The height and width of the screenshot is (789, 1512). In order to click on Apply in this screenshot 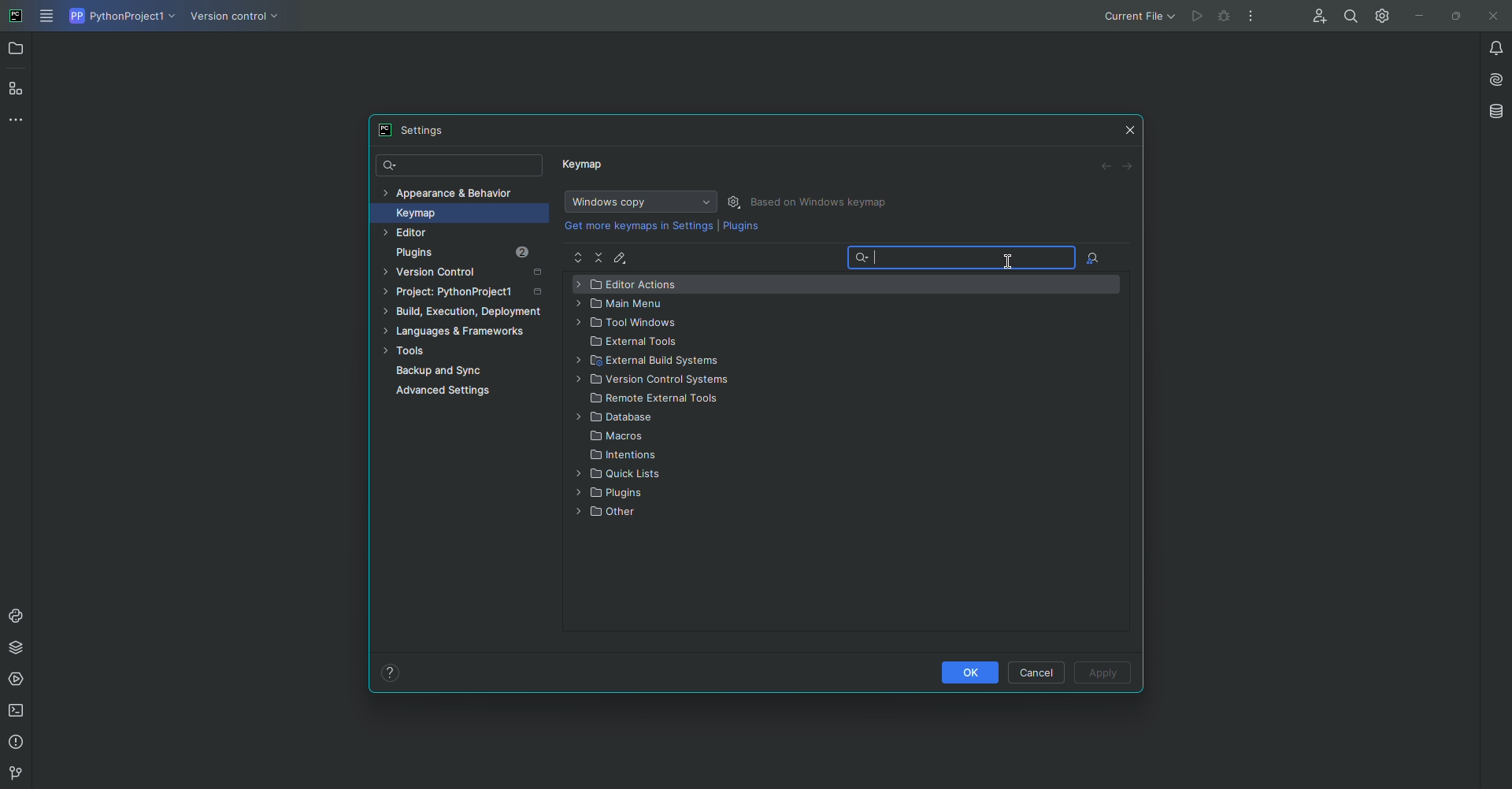, I will do `click(1104, 674)`.